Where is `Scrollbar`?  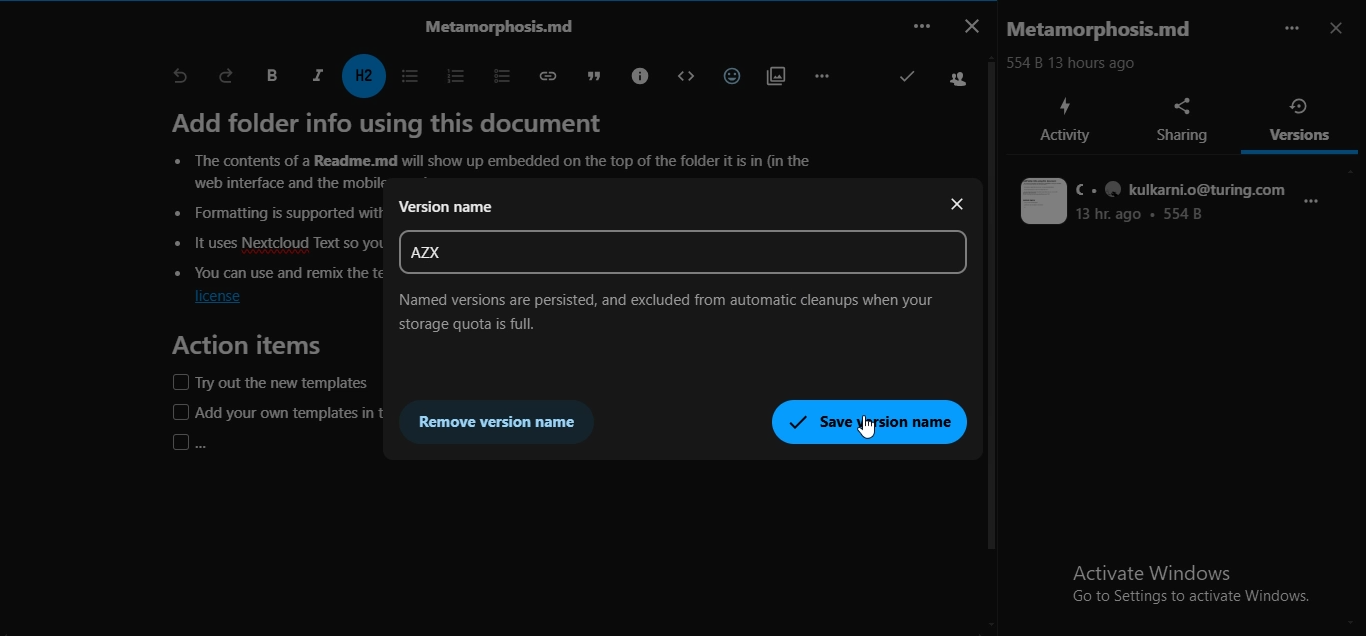
Scrollbar is located at coordinates (994, 326).